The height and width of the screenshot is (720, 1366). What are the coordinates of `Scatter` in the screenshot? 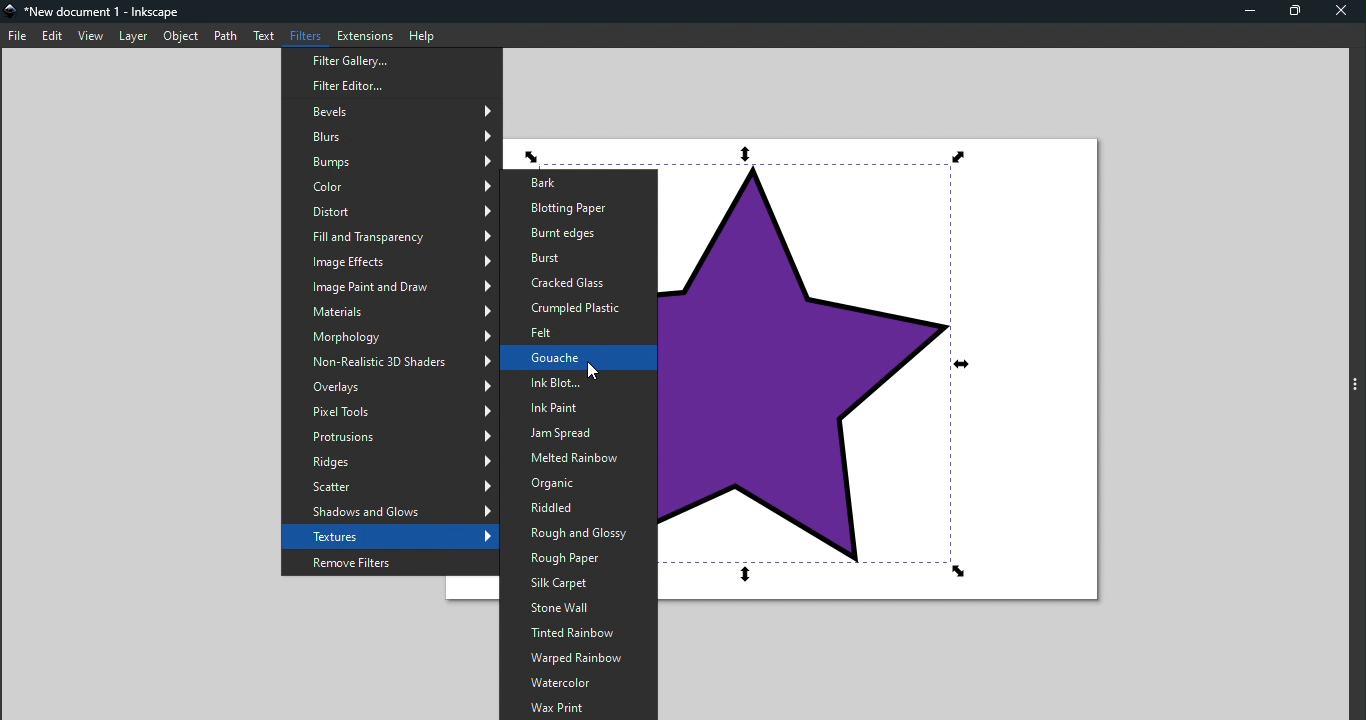 It's located at (389, 486).